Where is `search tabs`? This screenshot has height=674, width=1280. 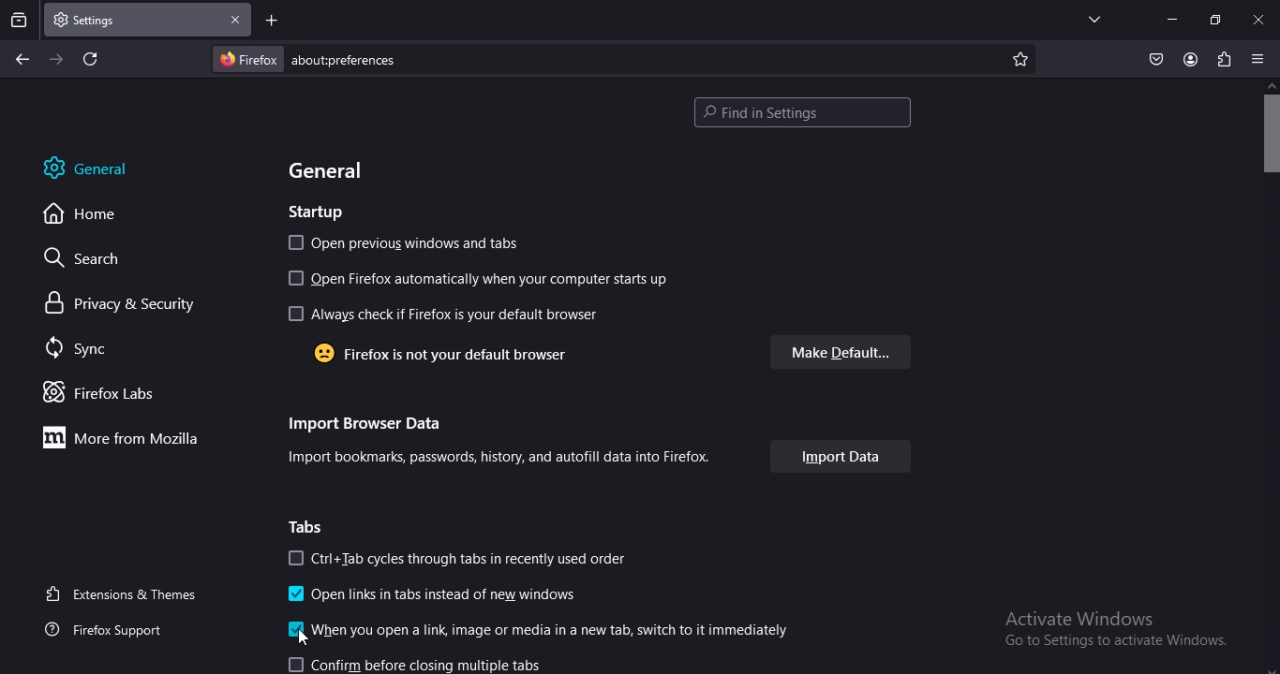 search tabs is located at coordinates (18, 20).